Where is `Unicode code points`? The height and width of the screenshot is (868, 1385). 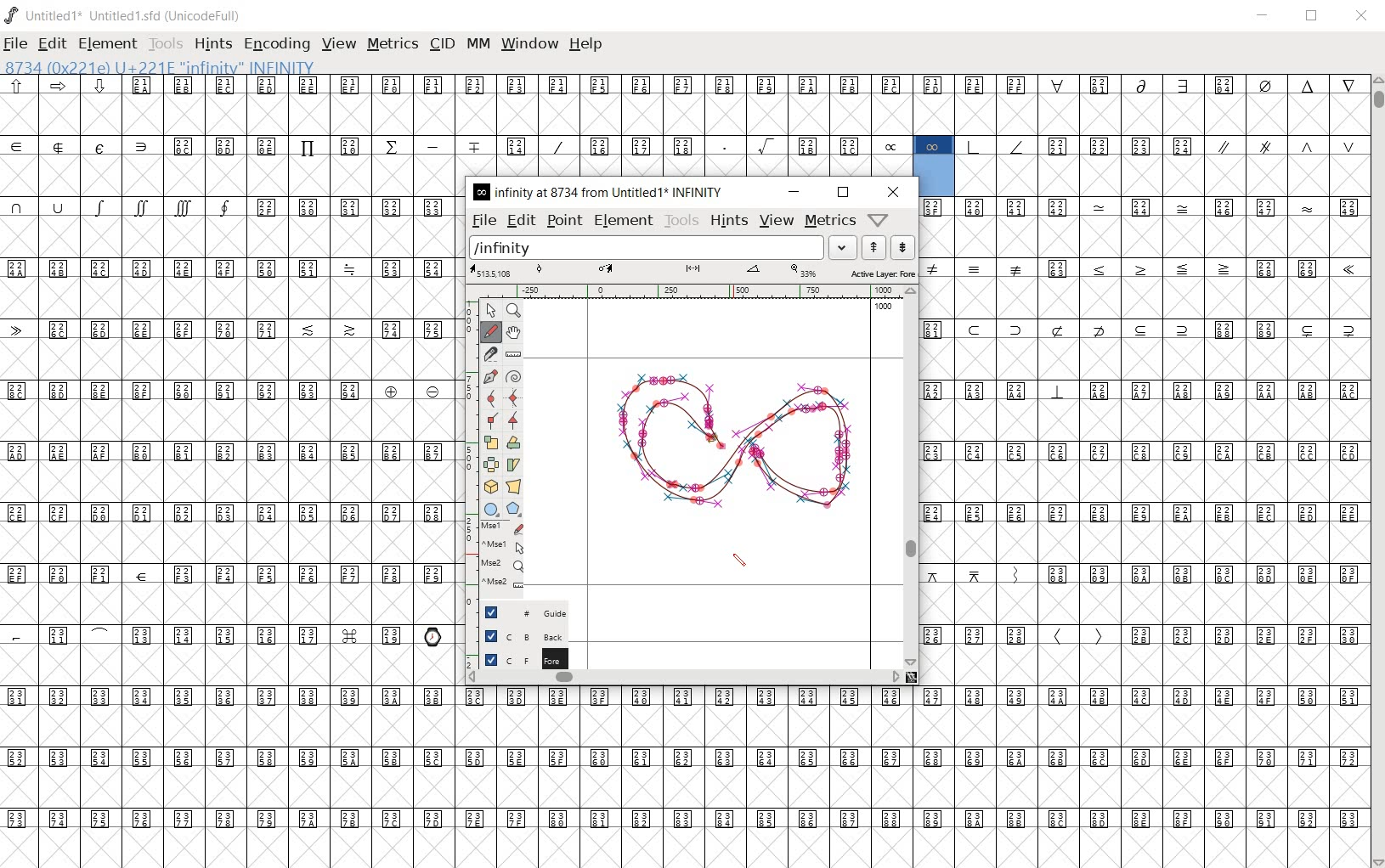
Unicode code points is located at coordinates (235, 391).